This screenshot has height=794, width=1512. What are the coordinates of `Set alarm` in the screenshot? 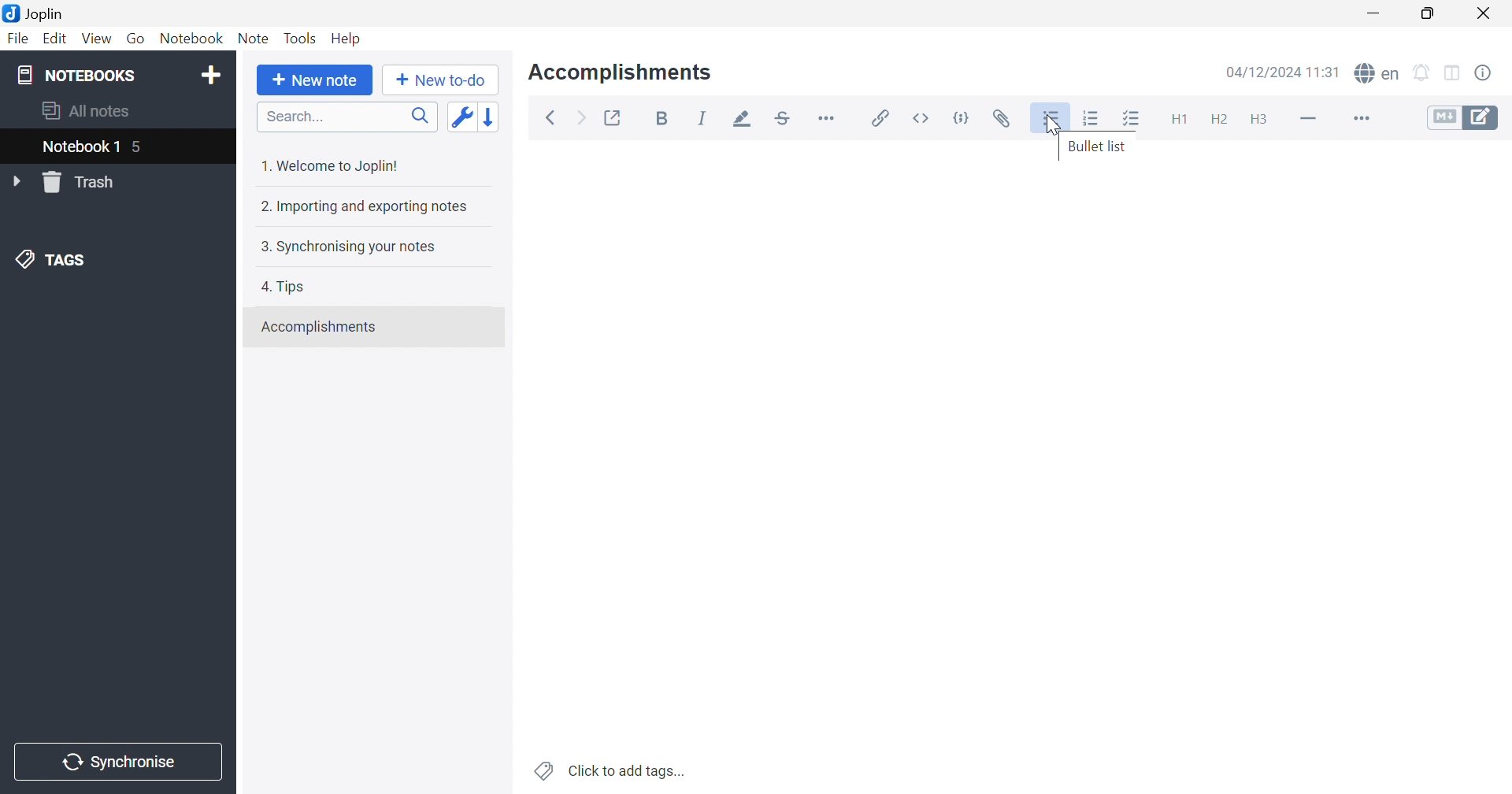 It's located at (1425, 74).